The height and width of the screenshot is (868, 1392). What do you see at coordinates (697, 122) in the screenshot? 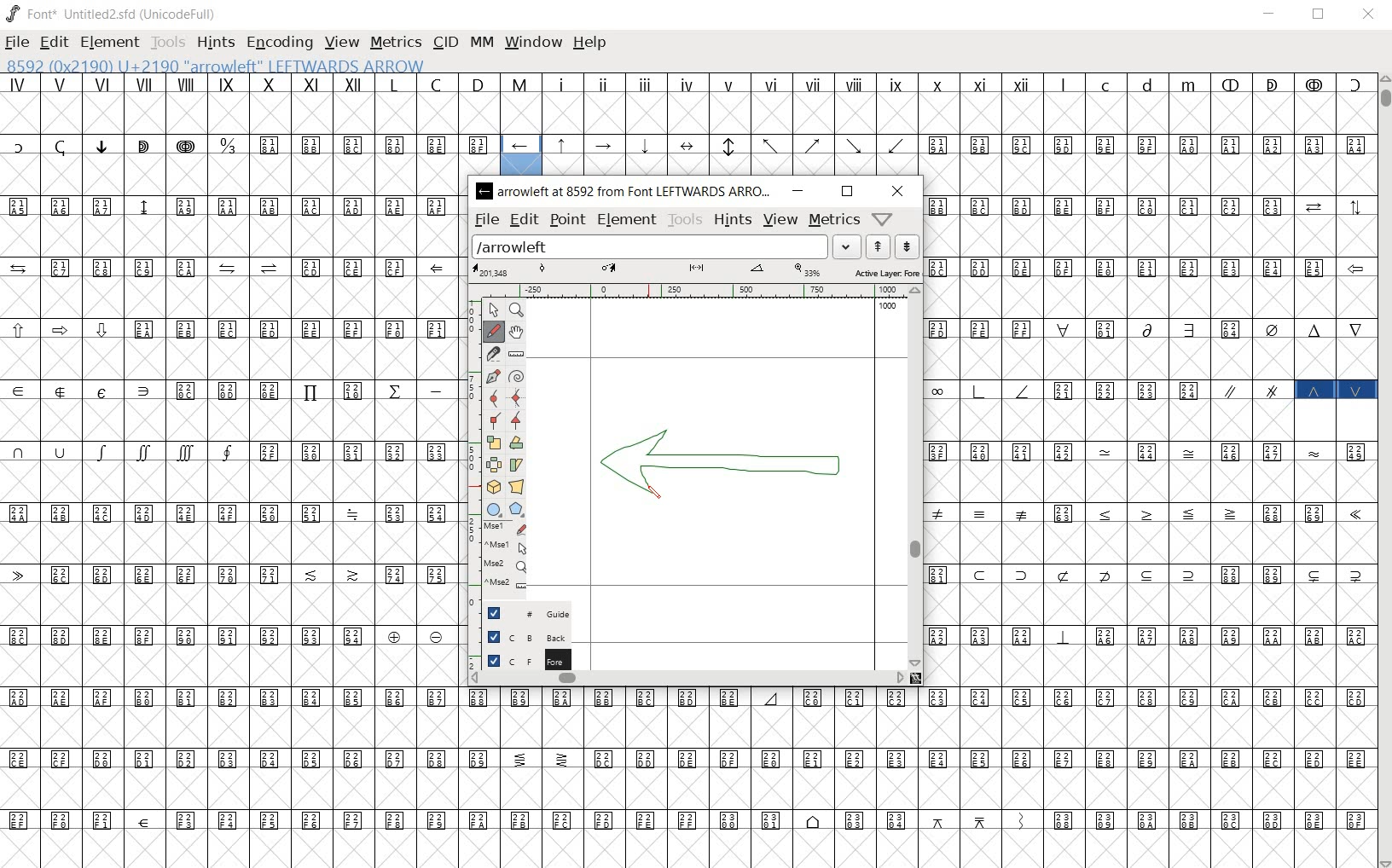
I see `glyph` at bounding box center [697, 122].